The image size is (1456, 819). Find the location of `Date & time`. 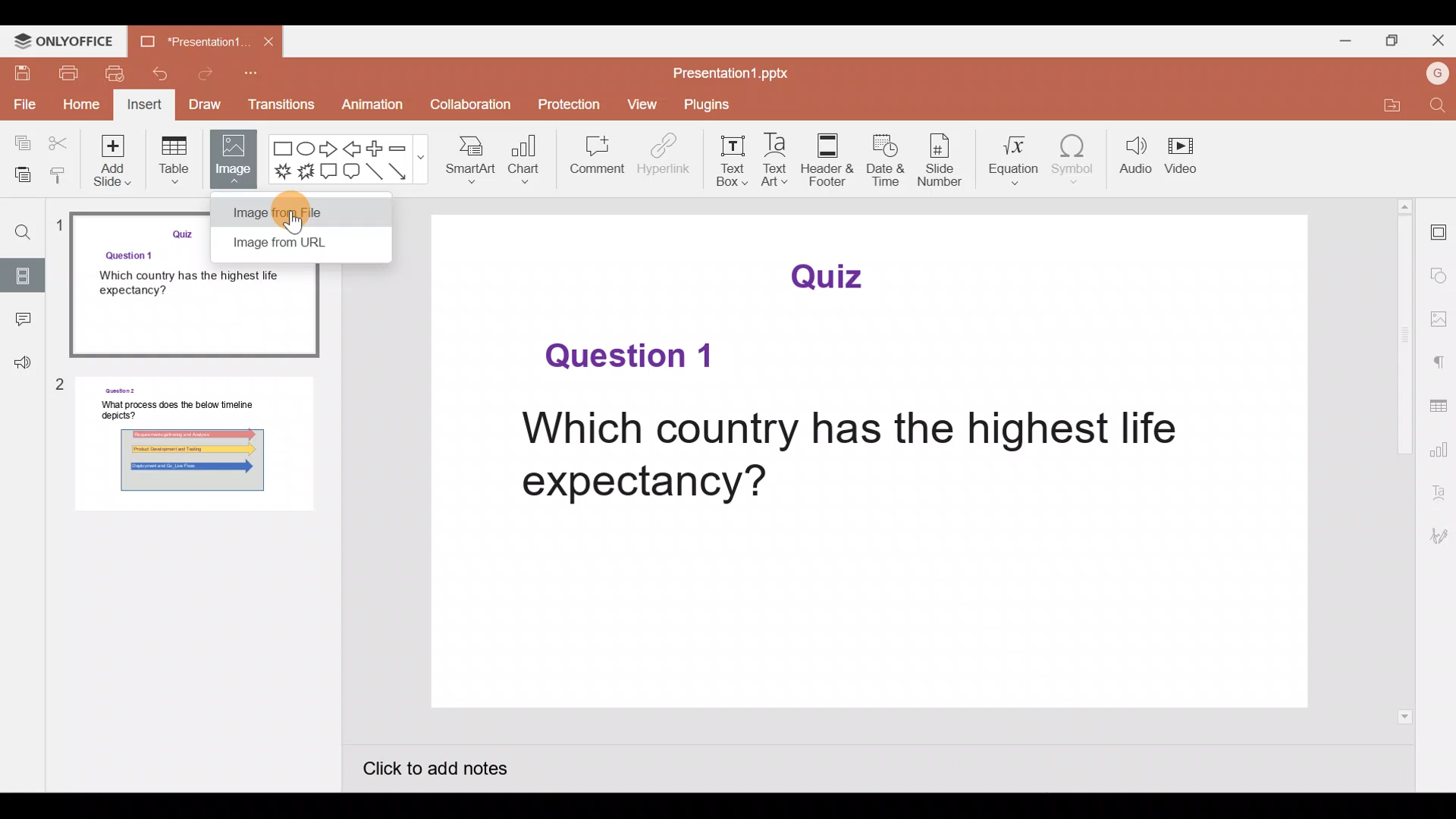

Date & time is located at coordinates (887, 163).